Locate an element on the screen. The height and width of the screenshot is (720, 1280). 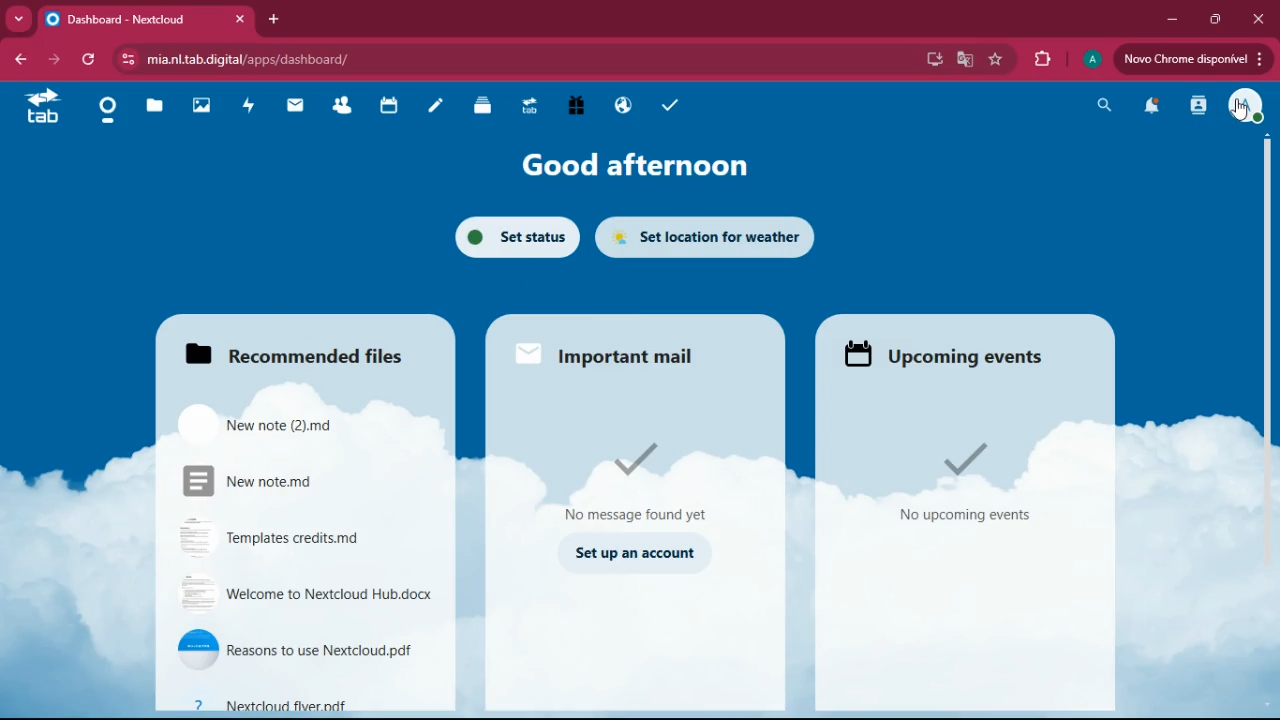
recommended files is located at coordinates (314, 354).